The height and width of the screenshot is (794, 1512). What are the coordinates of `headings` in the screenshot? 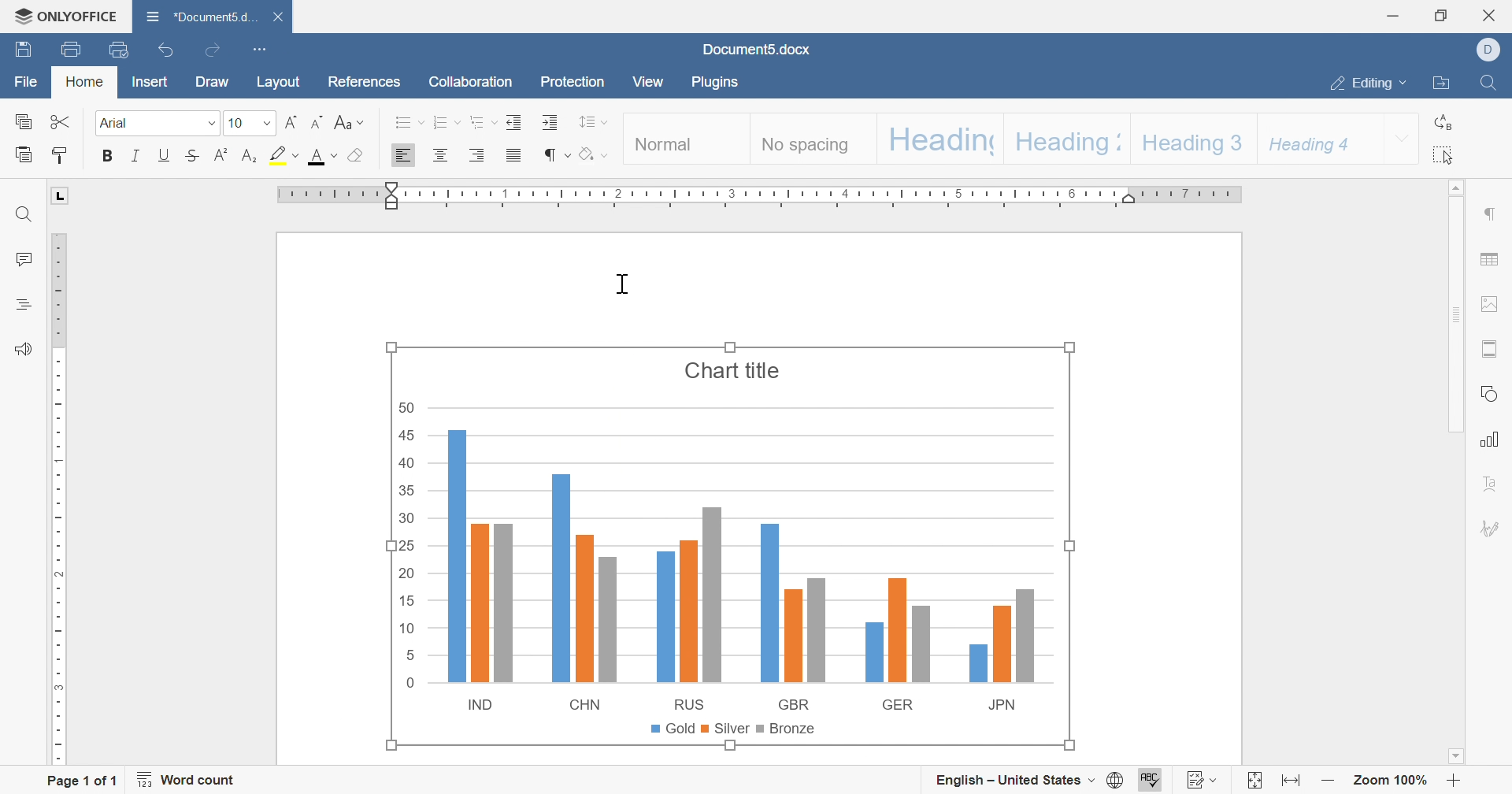 It's located at (24, 305).